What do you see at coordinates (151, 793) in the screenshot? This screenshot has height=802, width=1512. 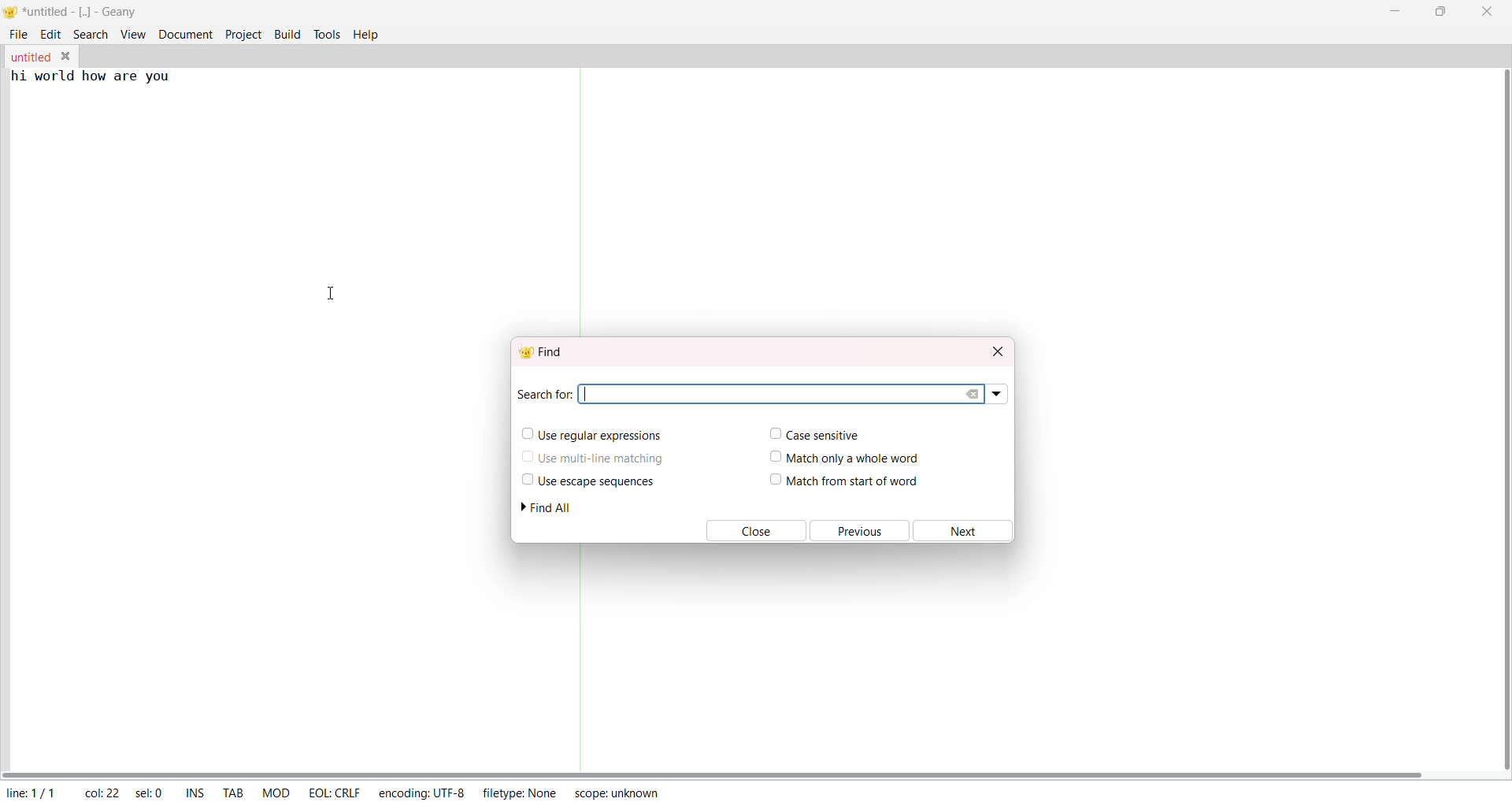 I see `sel: 0` at bounding box center [151, 793].